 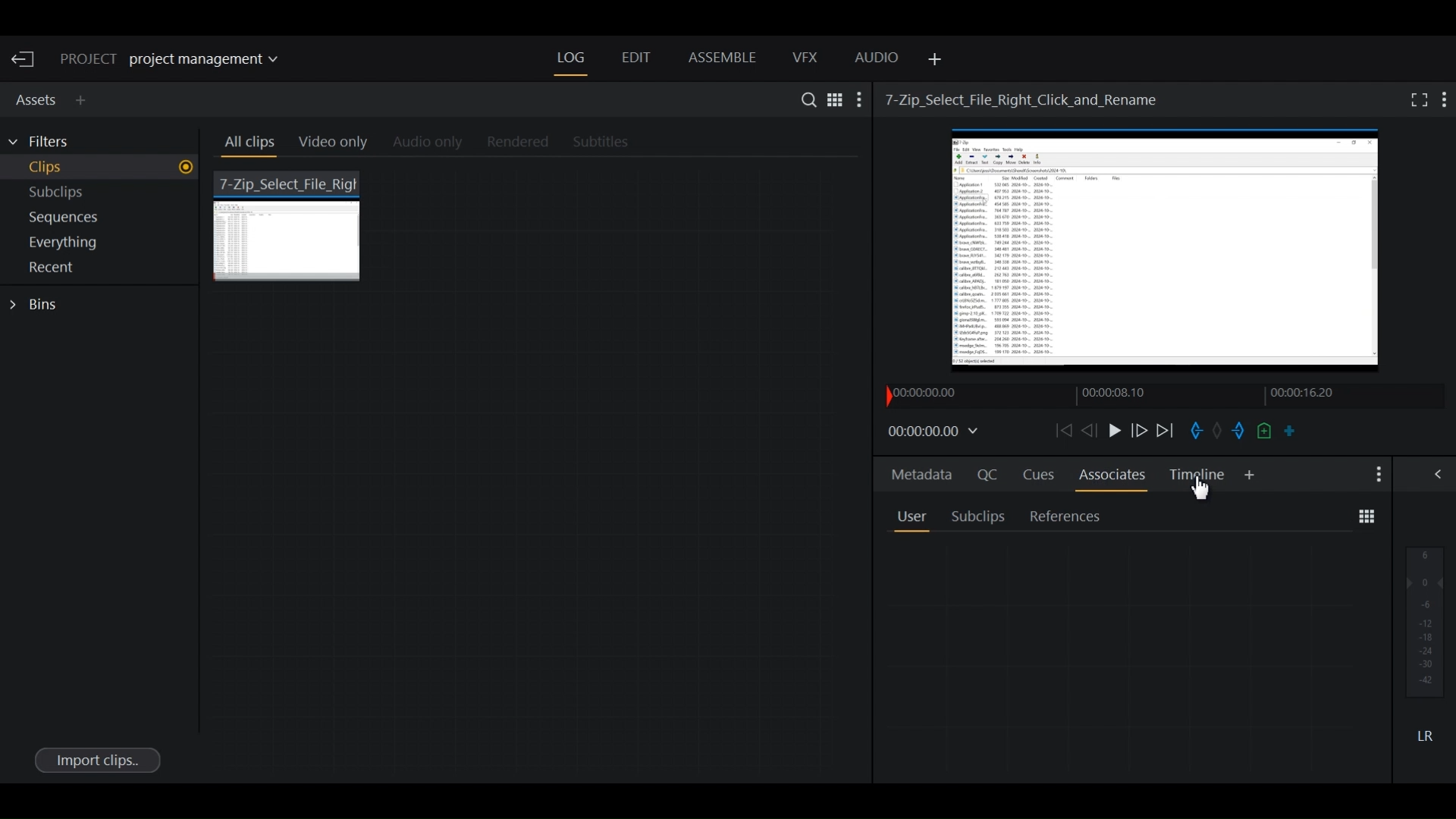 I want to click on Show Recent in current project, so click(x=102, y=268).